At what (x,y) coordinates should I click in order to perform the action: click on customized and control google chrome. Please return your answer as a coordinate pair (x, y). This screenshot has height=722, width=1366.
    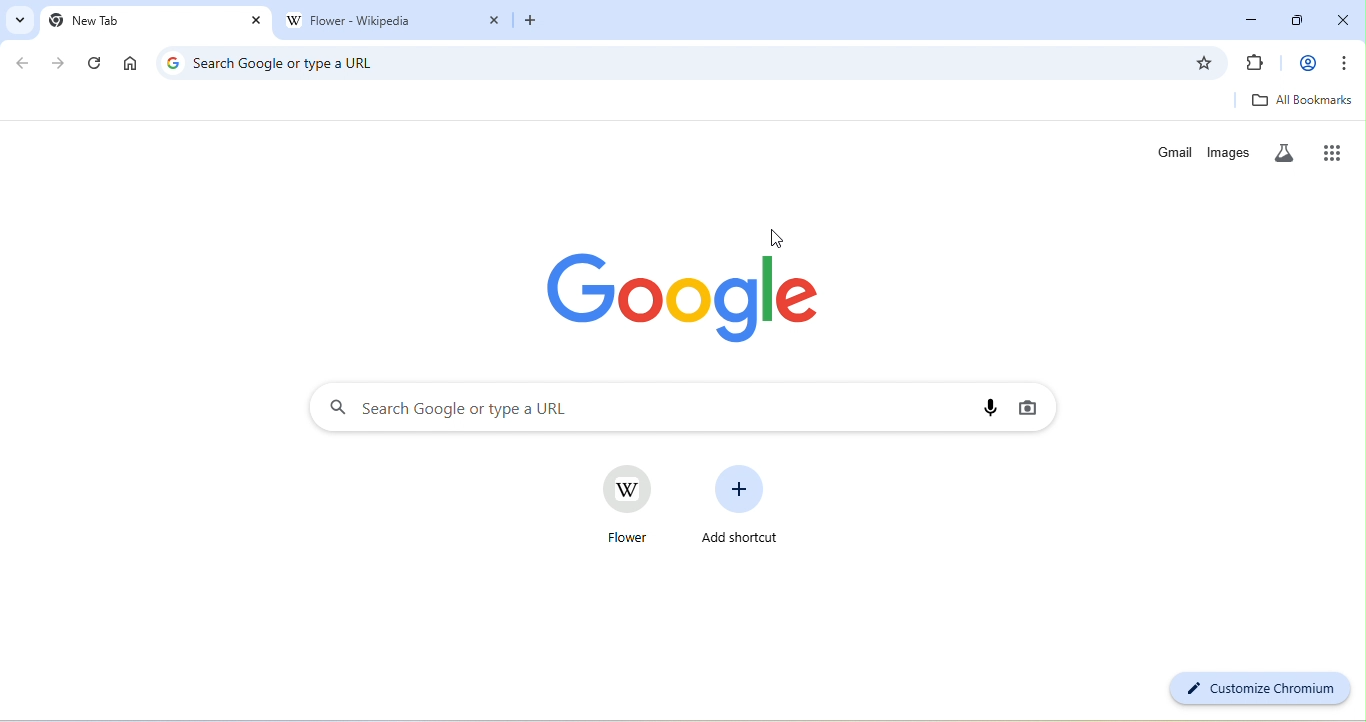
    Looking at the image, I should click on (1348, 63).